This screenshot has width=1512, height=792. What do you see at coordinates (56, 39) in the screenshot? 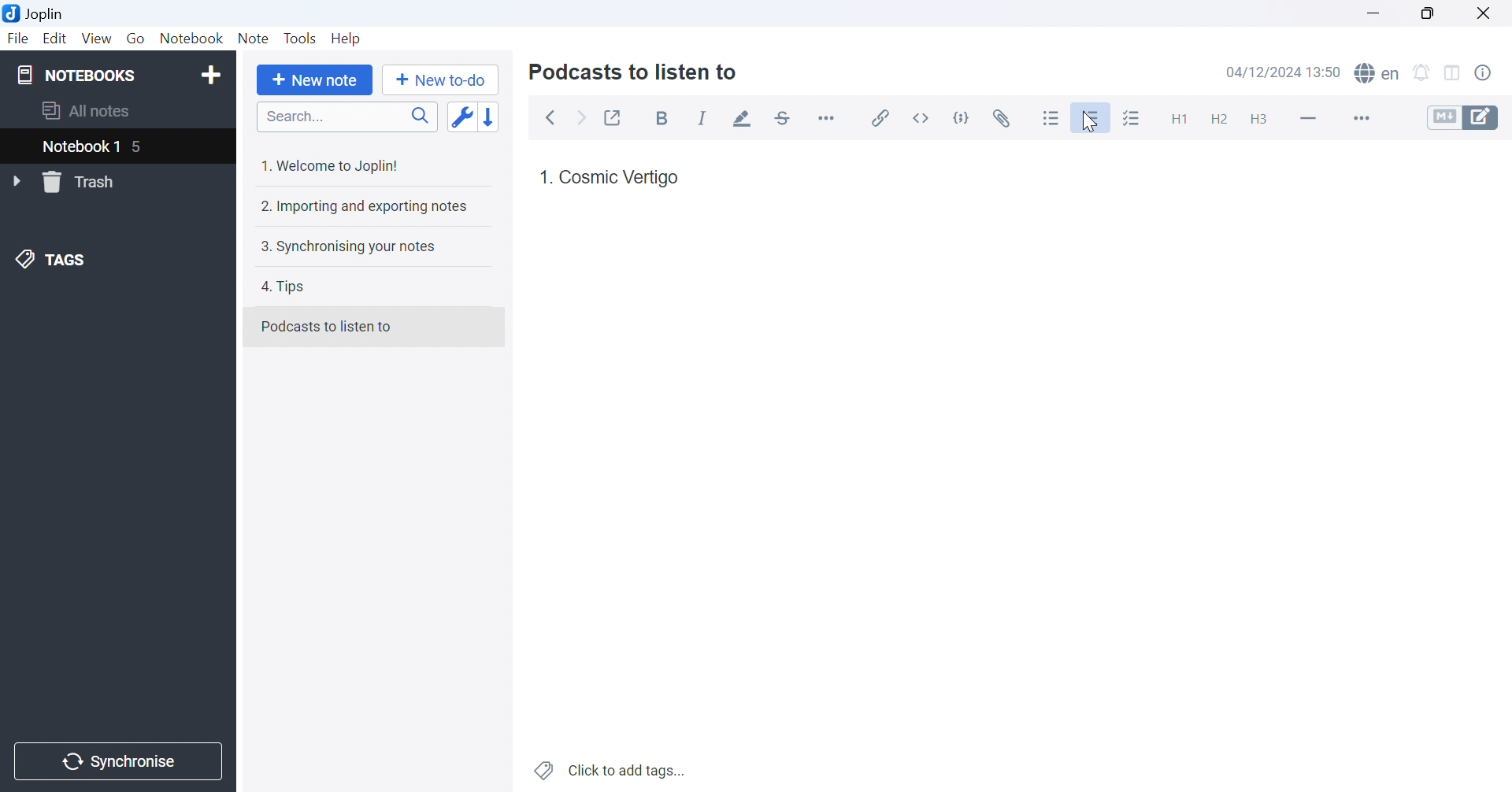
I see `Edit` at bounding box center [56, 39].